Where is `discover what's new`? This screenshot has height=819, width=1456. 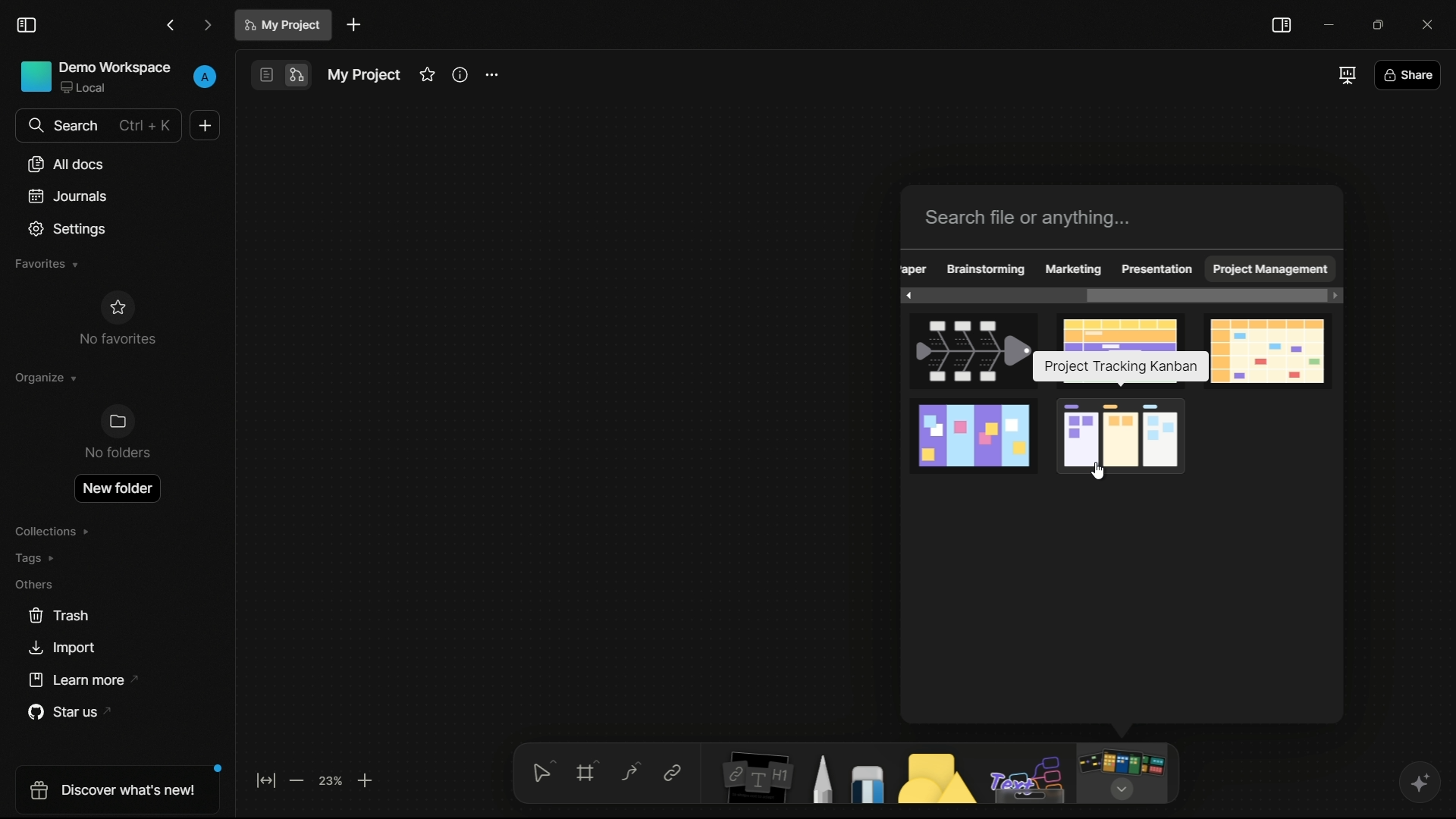 discover what's new is located at coordinates (121, 789).